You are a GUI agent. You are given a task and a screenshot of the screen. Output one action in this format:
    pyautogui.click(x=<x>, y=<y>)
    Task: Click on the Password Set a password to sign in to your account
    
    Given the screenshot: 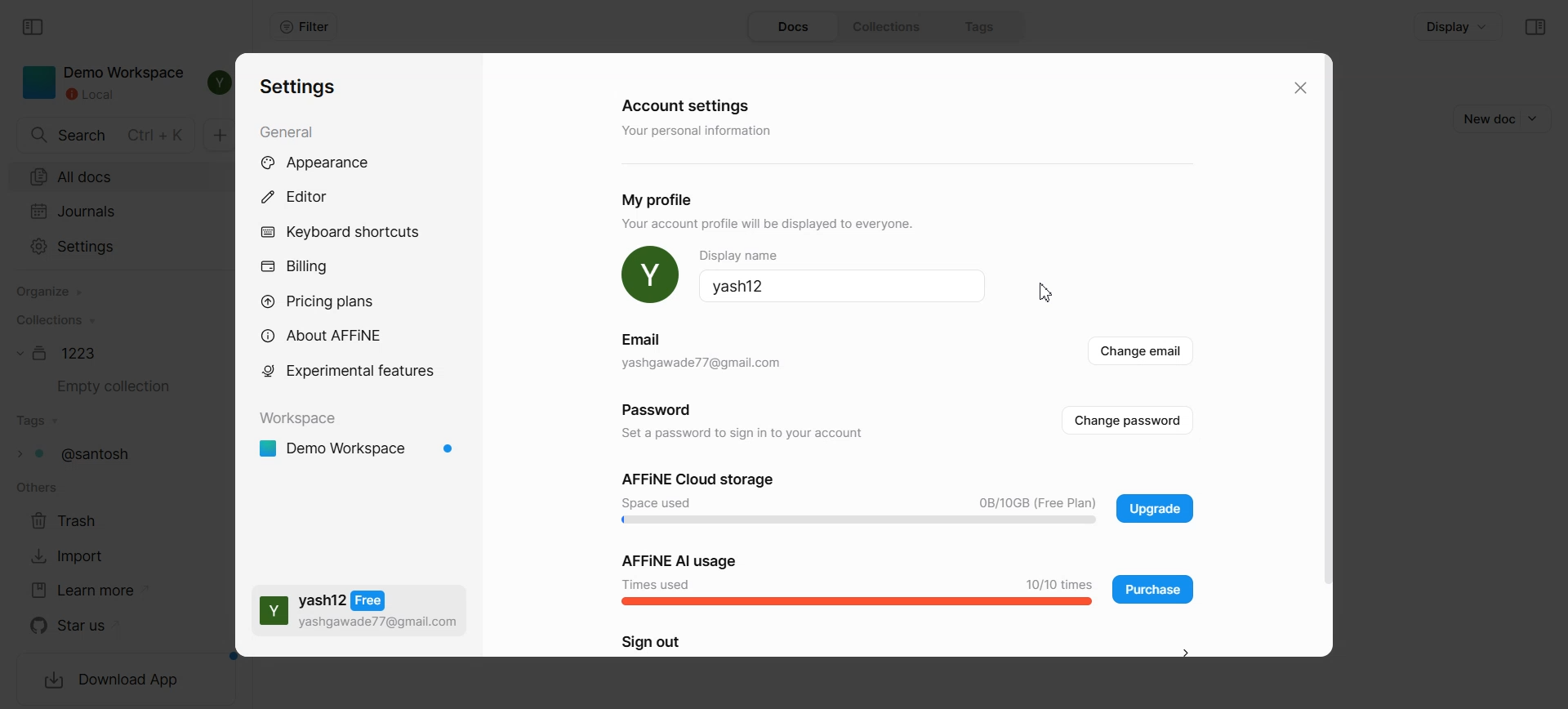 What is the action you would take?
    pyautogui.click(x=749, y=421)
    